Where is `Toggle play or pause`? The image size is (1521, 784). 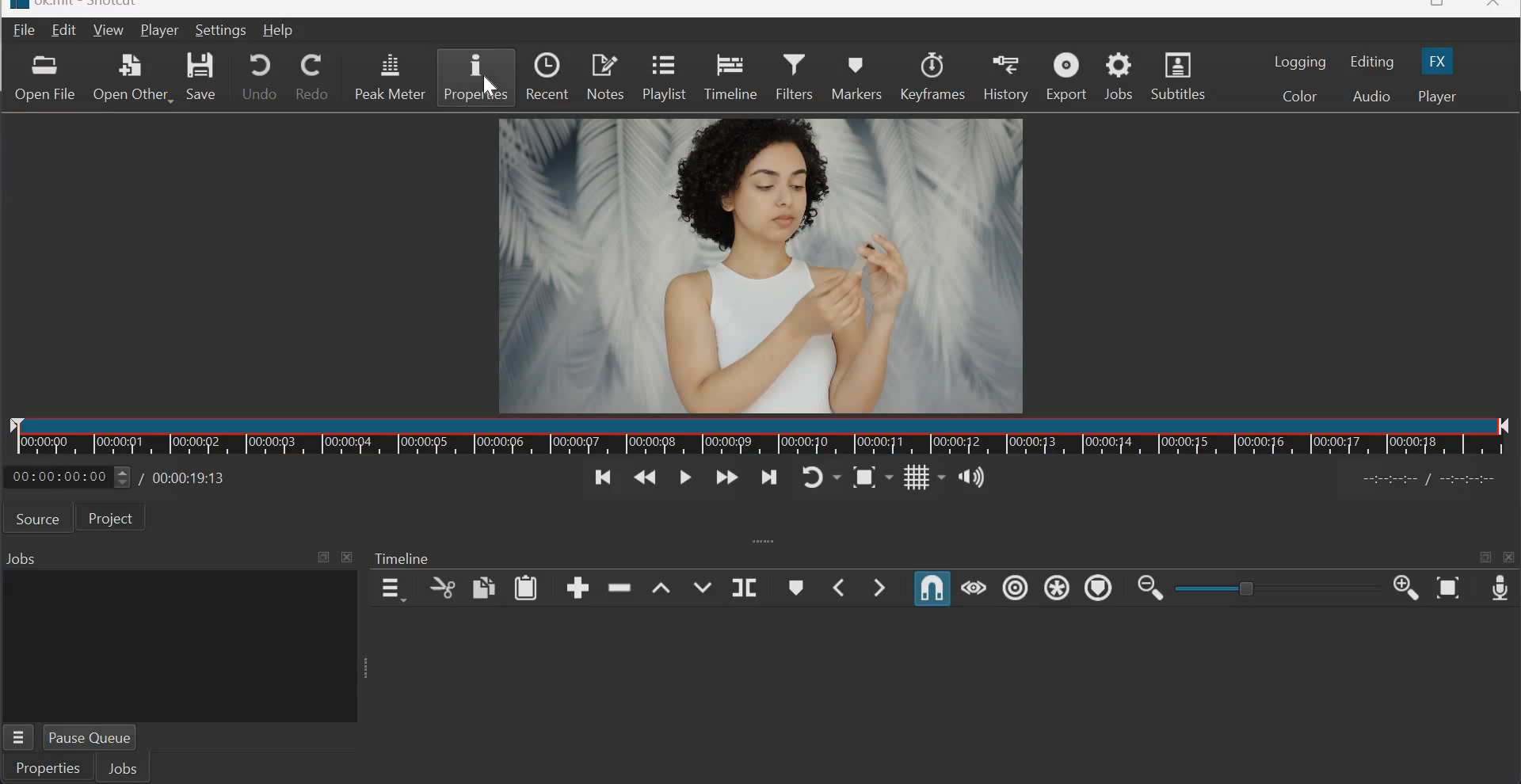
Toggle play or pause is located at coordinates (686, 477).